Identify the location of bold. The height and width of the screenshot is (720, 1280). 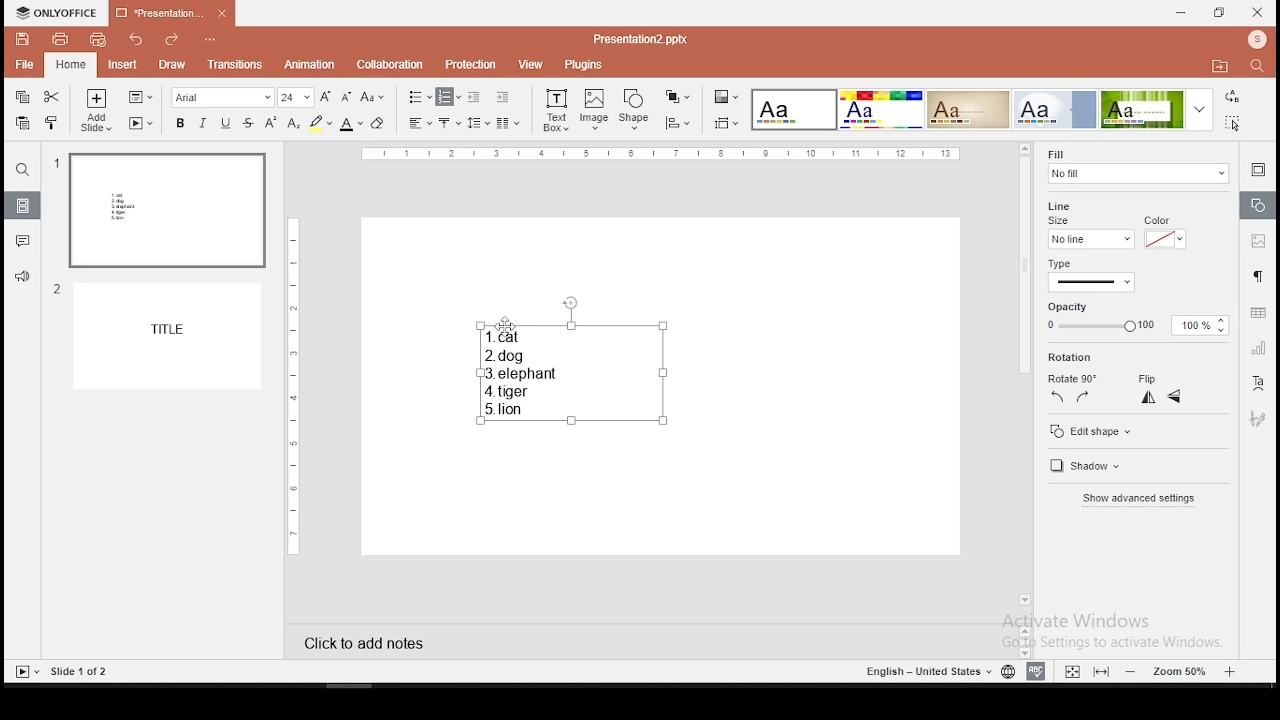
(178, 122).